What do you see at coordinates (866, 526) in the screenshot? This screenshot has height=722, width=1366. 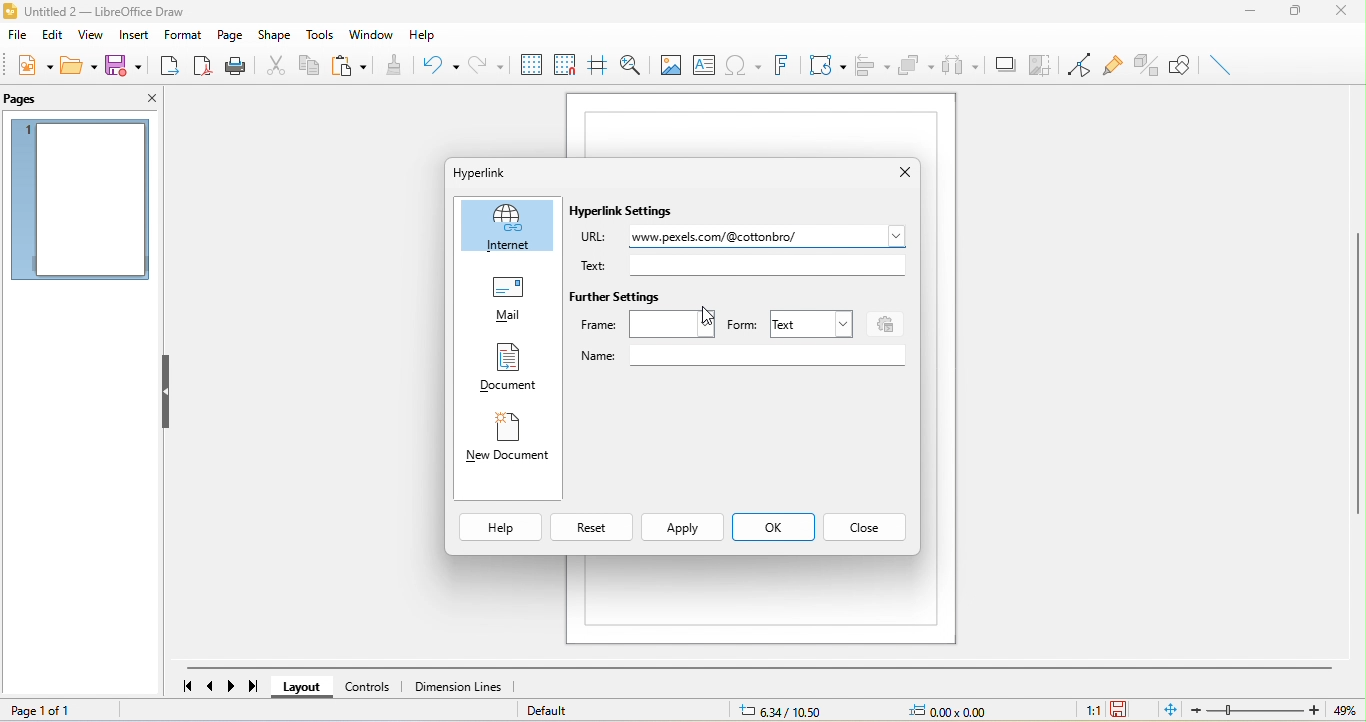 I see `close` at bounding box center [866, 526].